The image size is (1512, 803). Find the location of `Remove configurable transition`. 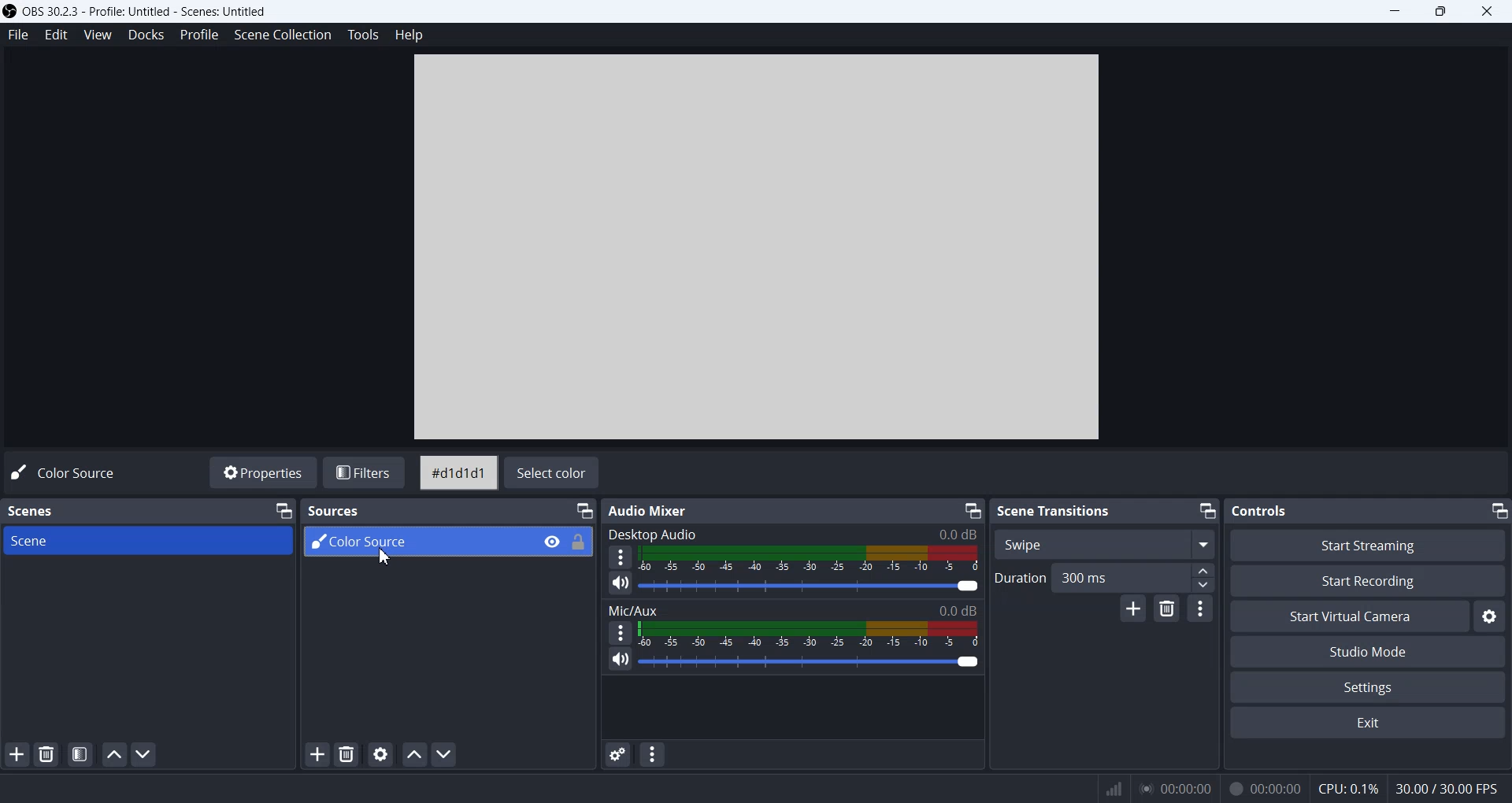

Remove configurable transition is located at coordinates (1166, 609).